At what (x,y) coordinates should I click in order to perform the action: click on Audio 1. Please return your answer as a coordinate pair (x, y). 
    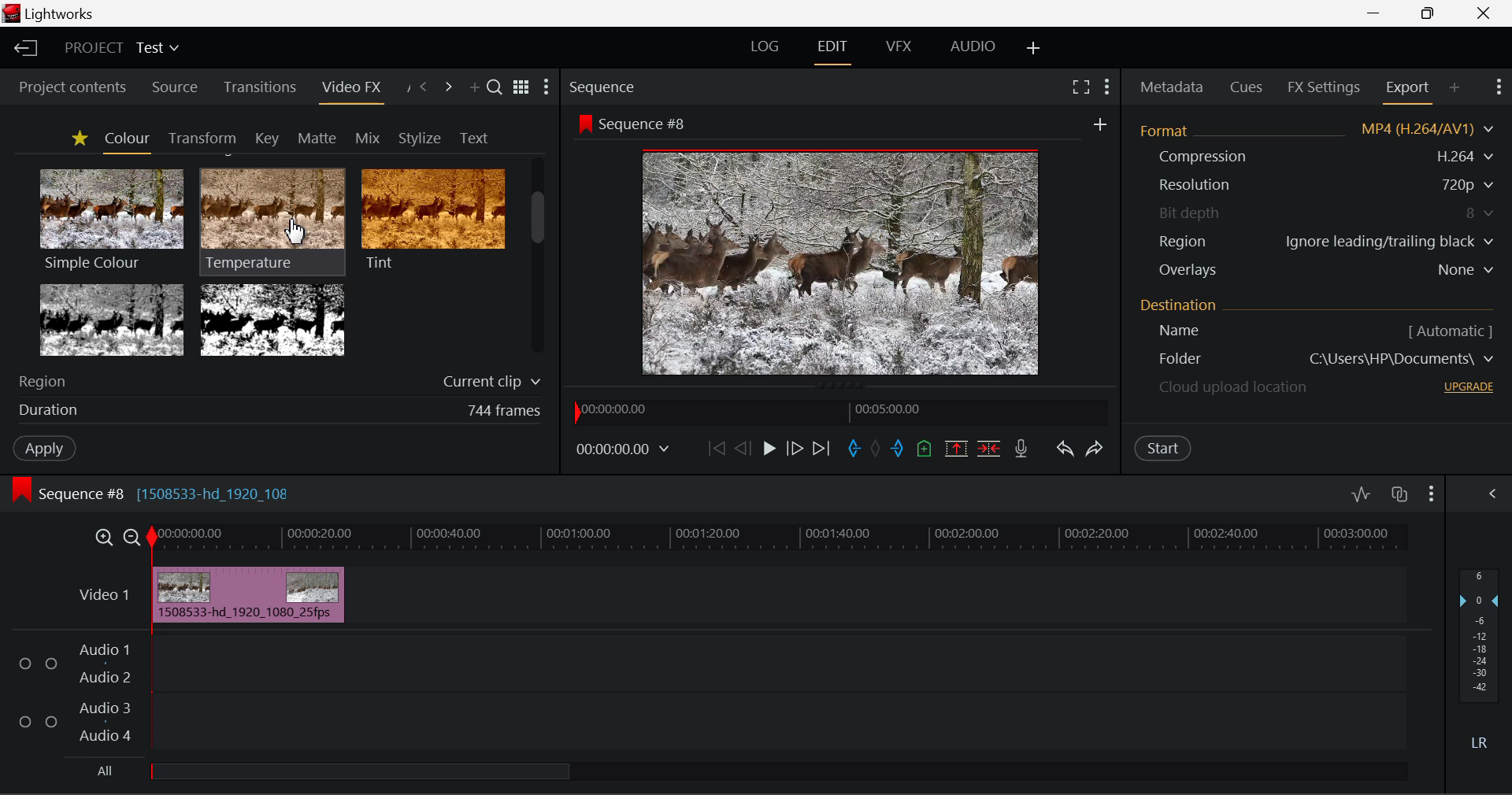
    Looking at the image, I should click on (102, 651).